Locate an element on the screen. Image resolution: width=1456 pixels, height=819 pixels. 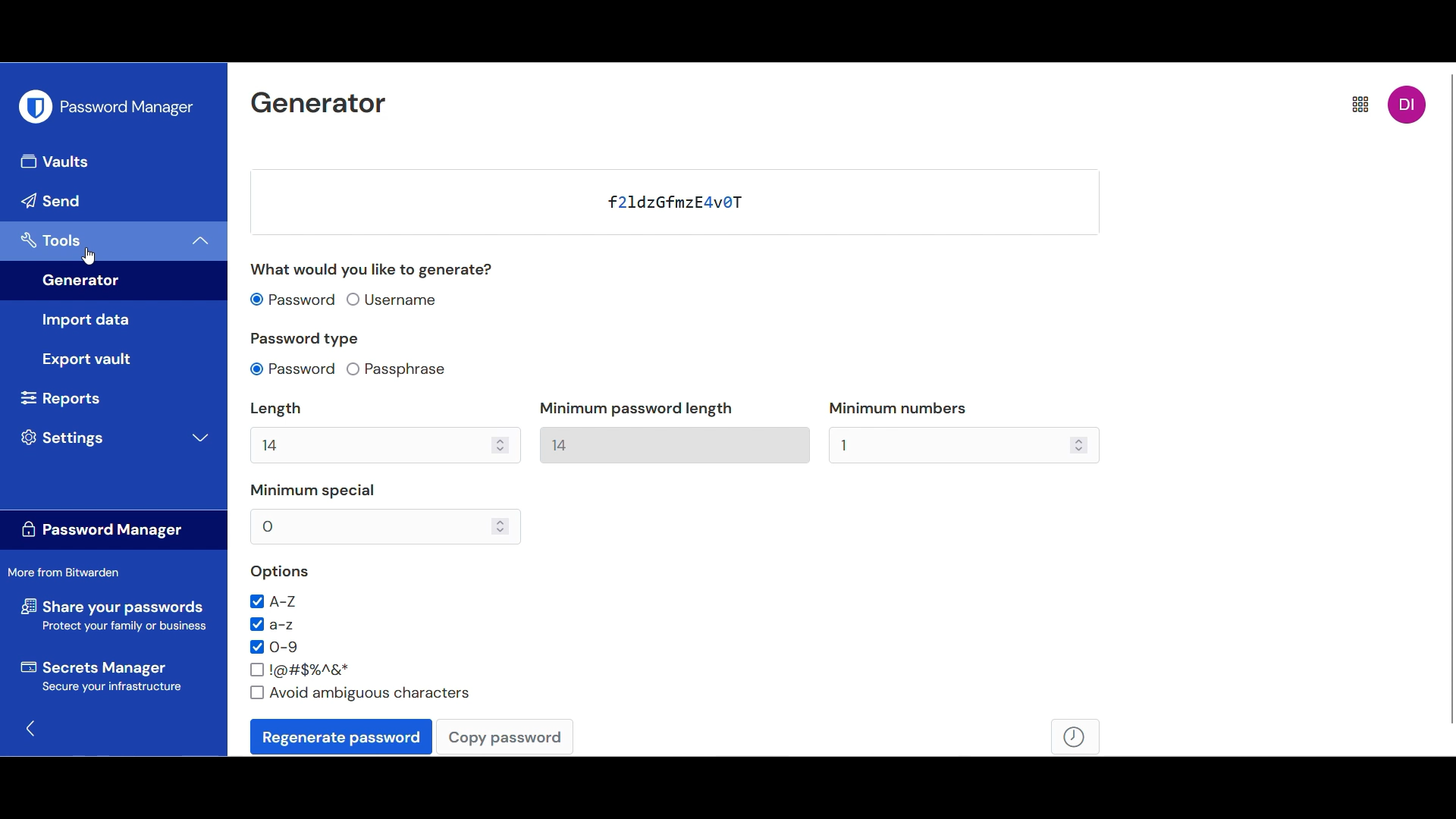
Current account is located at coordinates (1408, 105).